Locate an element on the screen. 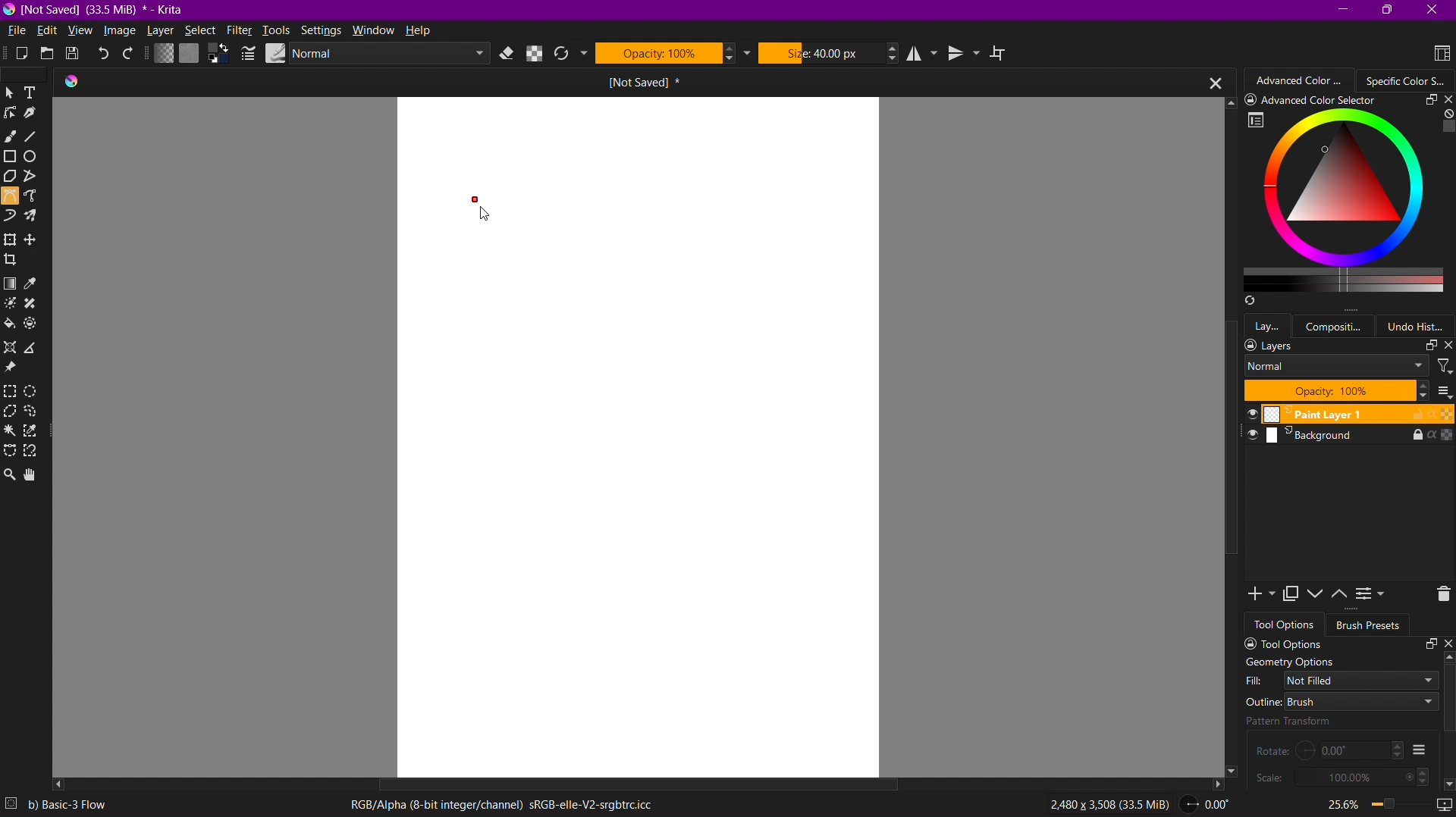 The width and height of the screenshot is (1456, 817). Open Tab is located at coordinates (595, 82).